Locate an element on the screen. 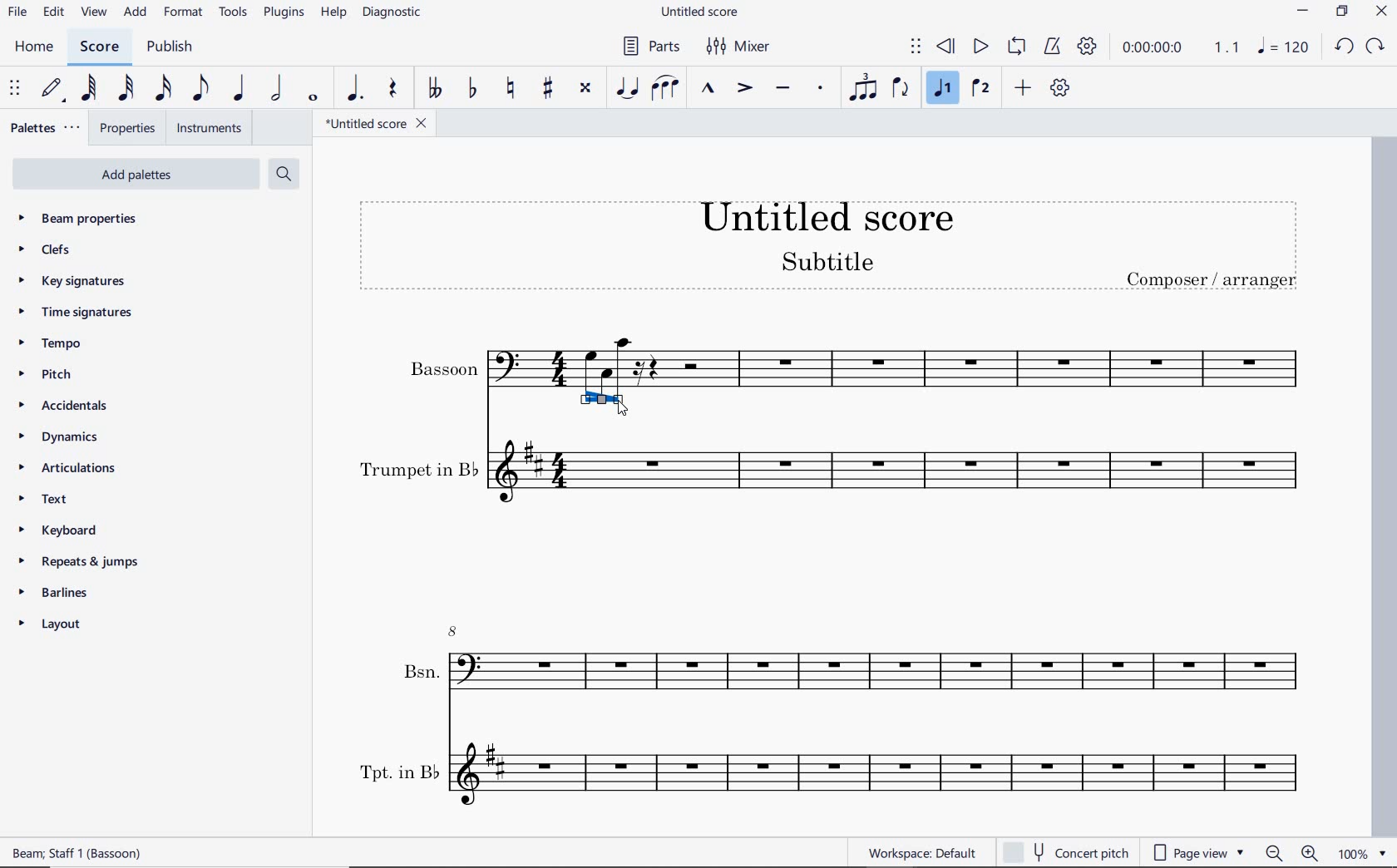  customize toolbar is located at coordinates (1060, 89).